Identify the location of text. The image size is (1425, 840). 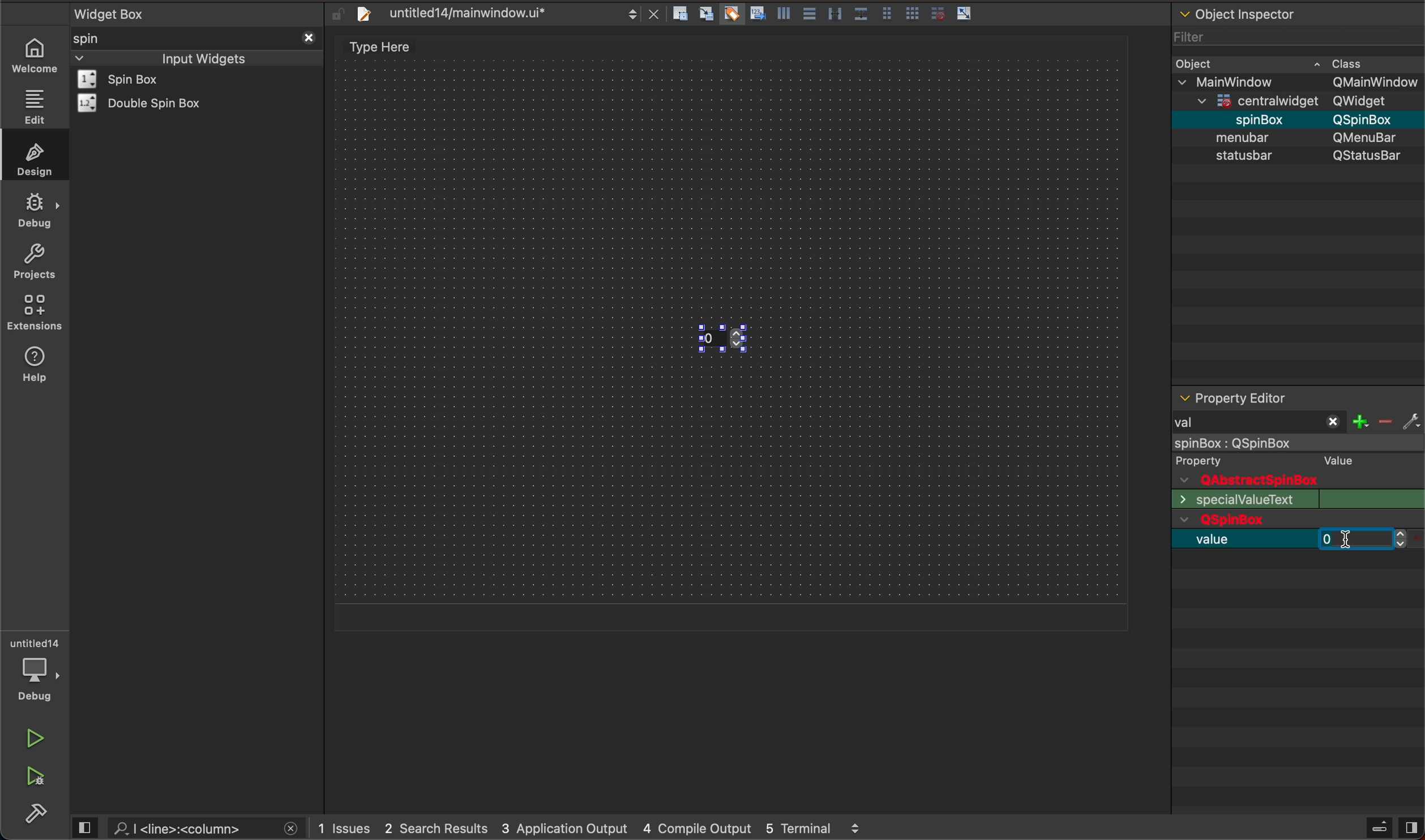
(1334, 460).